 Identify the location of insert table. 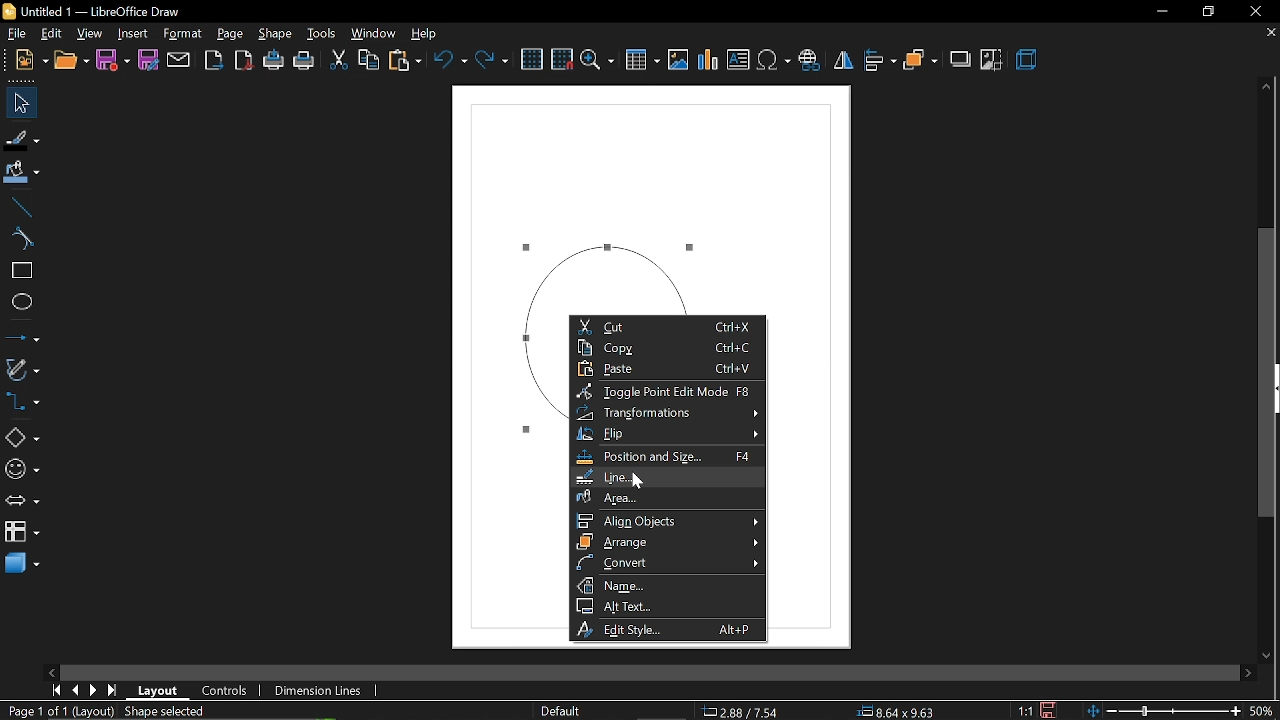
(642, 60).